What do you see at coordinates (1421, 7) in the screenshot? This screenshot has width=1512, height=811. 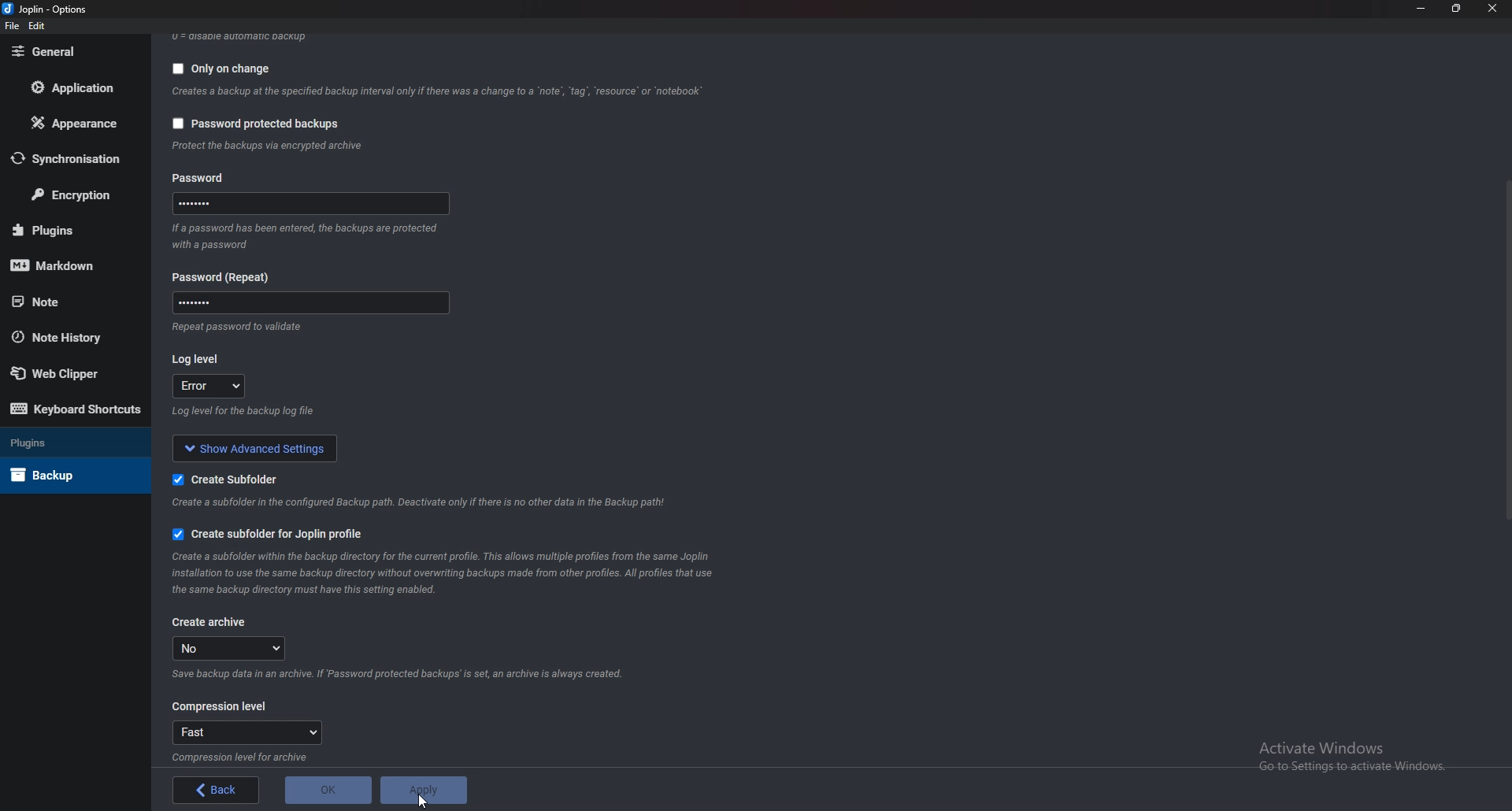 I see `Minimize` at bounding box center [1421, 7].